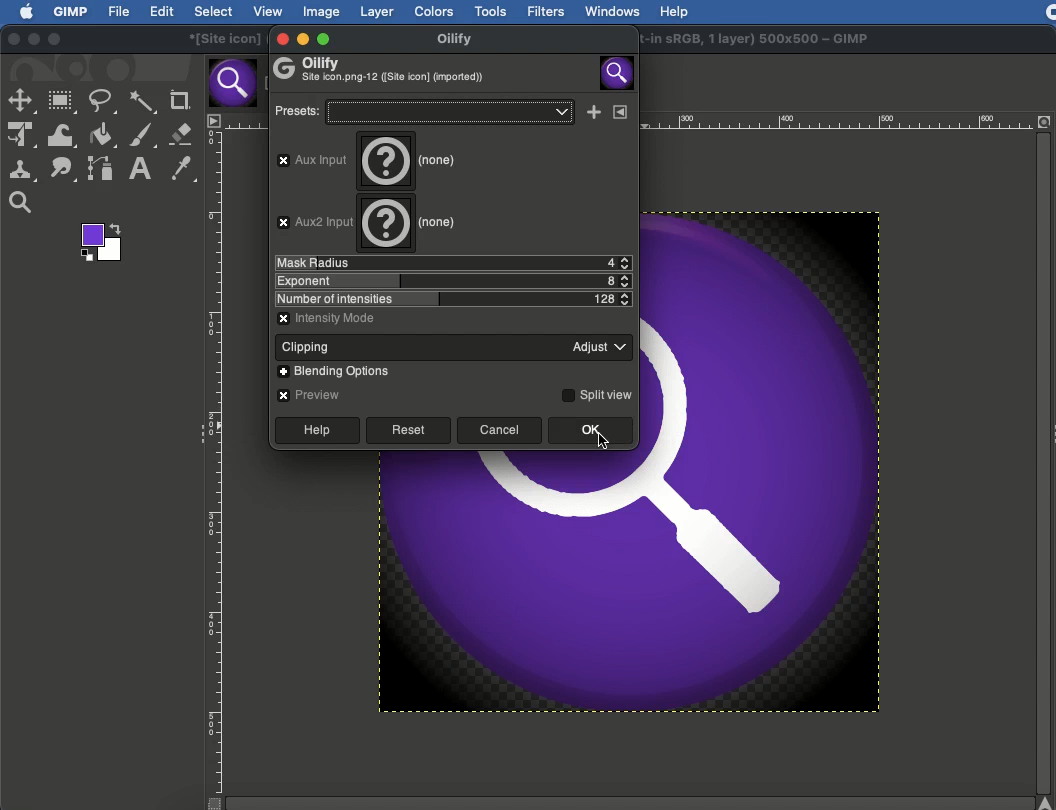  Describe the element at coordinates (374, 11) in the screenshot. I see `Layer` at that location.